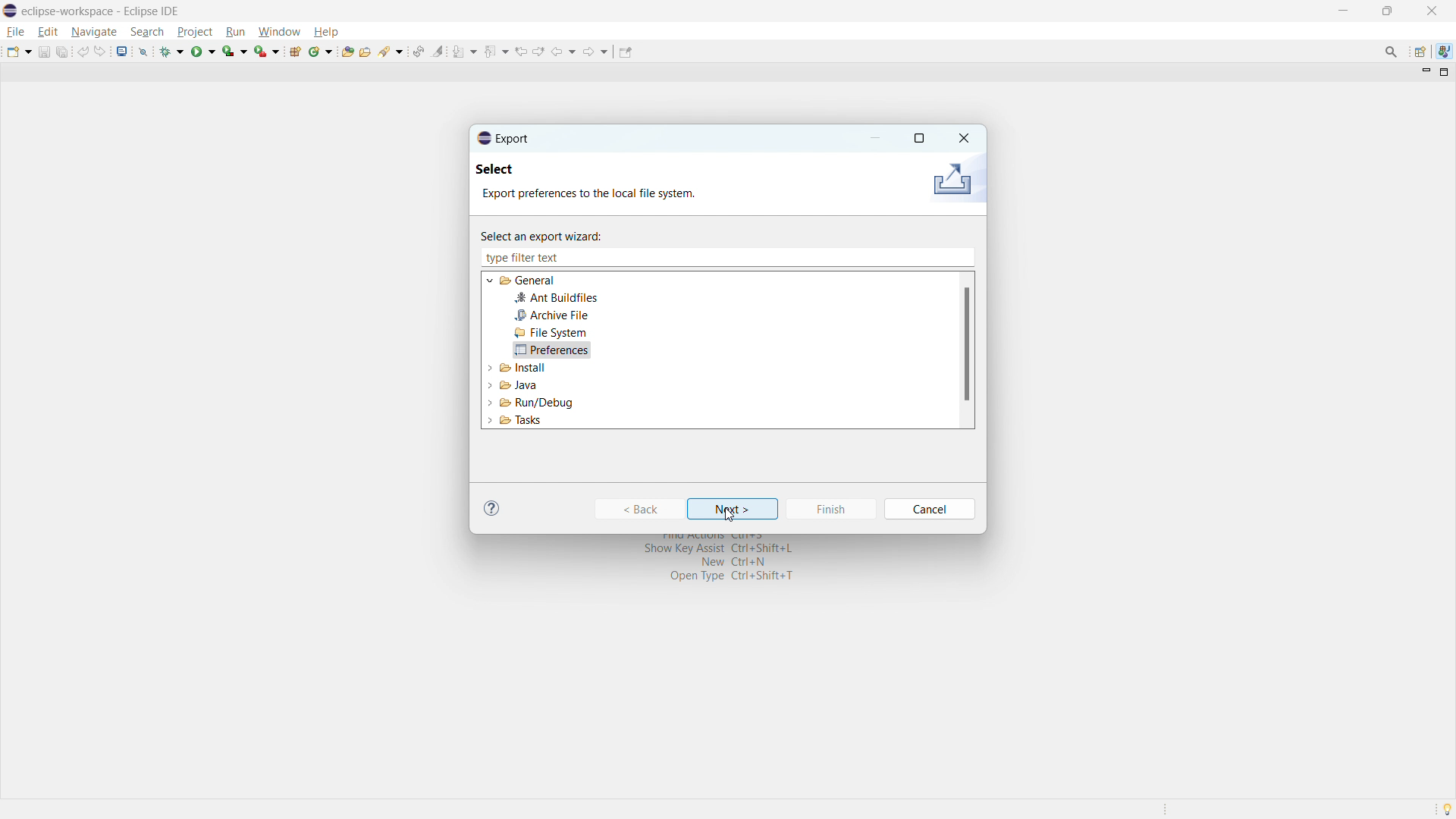 The height and width of the screenshot is (819, 1456). Describe the element at coordinates (83, 52) in the screenshot. I see `undo` at that location.